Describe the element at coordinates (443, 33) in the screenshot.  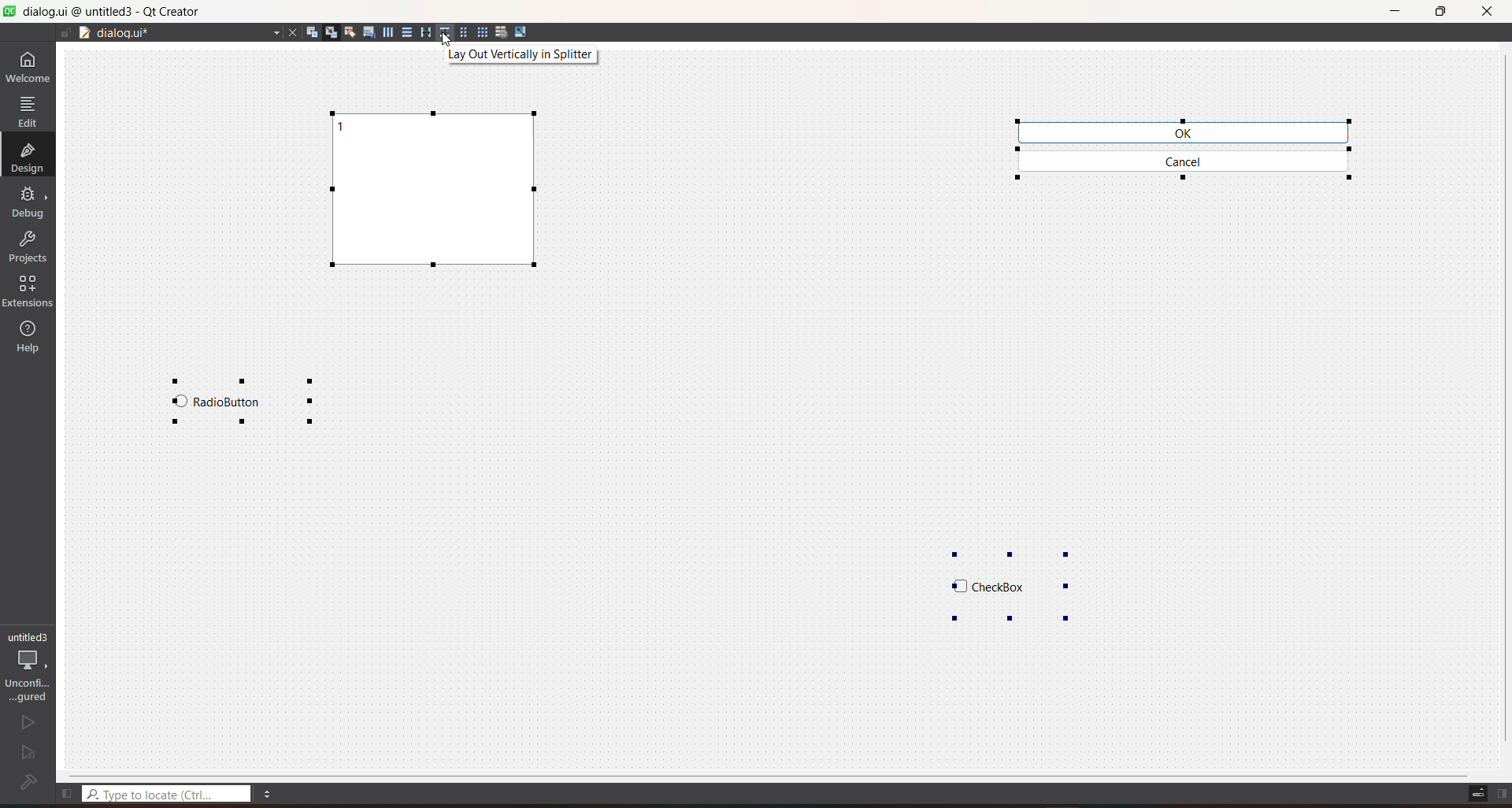
I see `layout vertical splitter` at that location.